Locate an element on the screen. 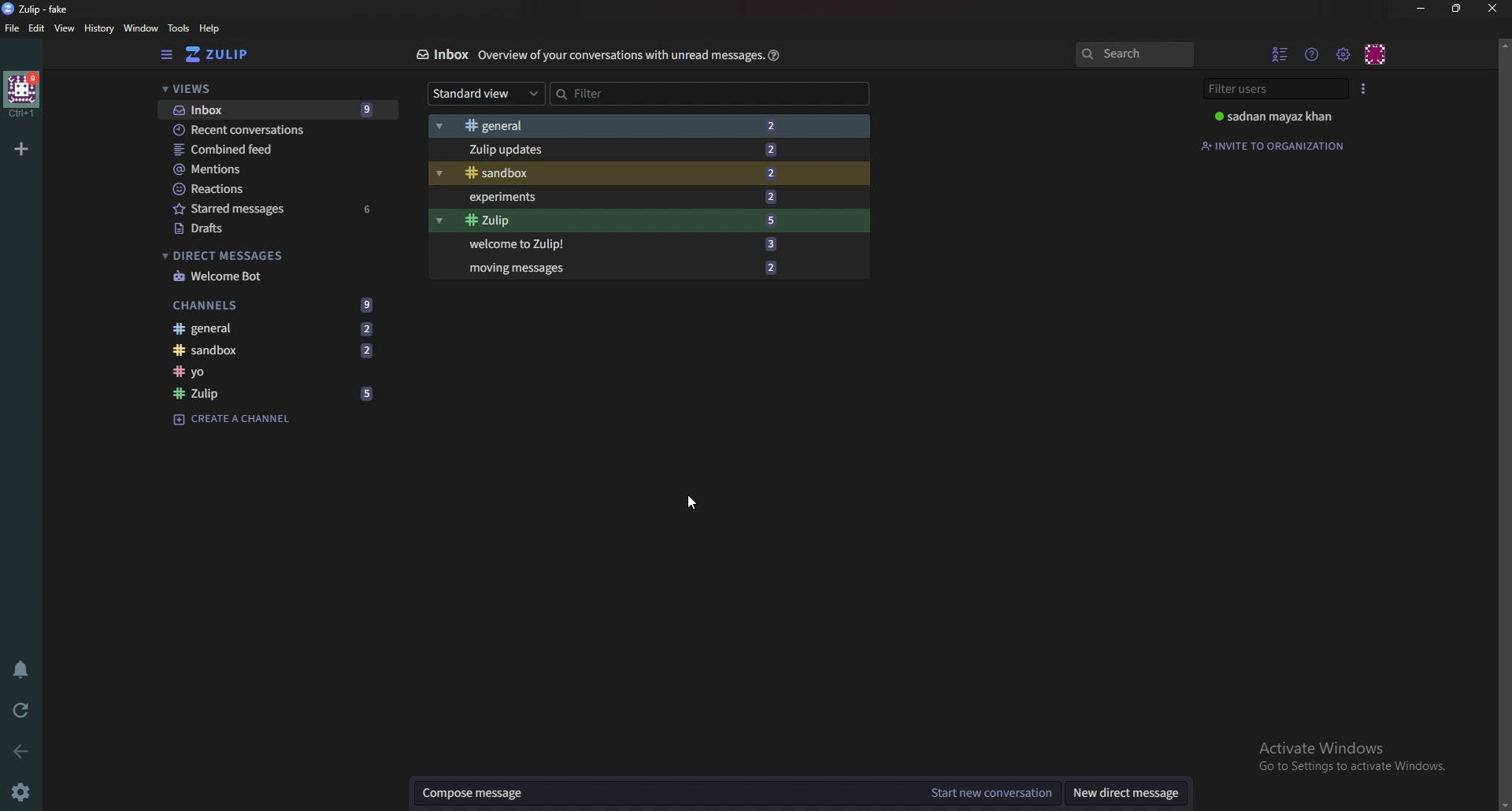 Image resolution: width=1512 pixels, height=811 pixels. zulip is located at coordinates (272, 395).